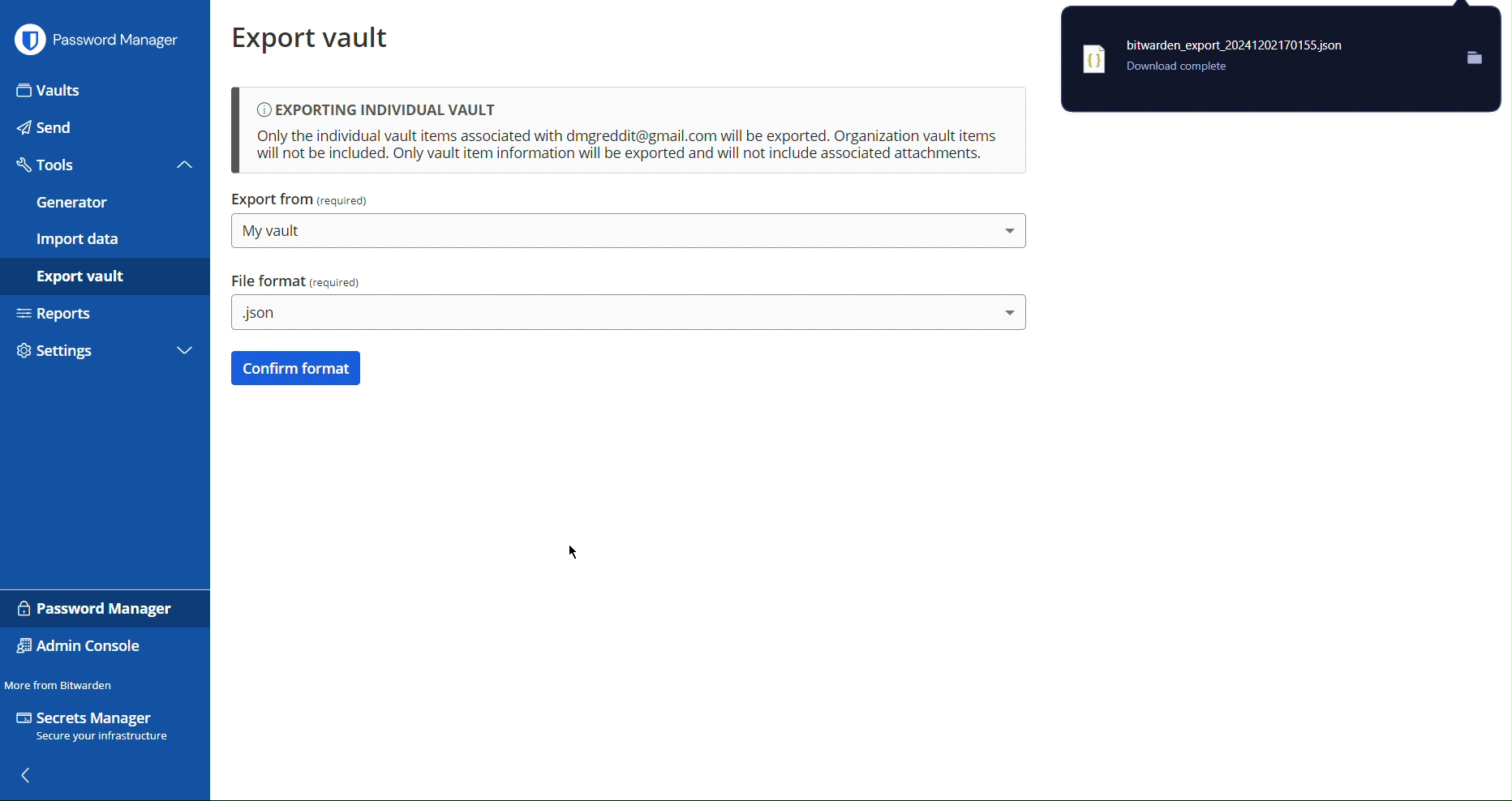 This screenshot has height=801, width=1512. Describe the element at coordinates (100, 42) in the screenshot. I see `Password Manager` at that location.